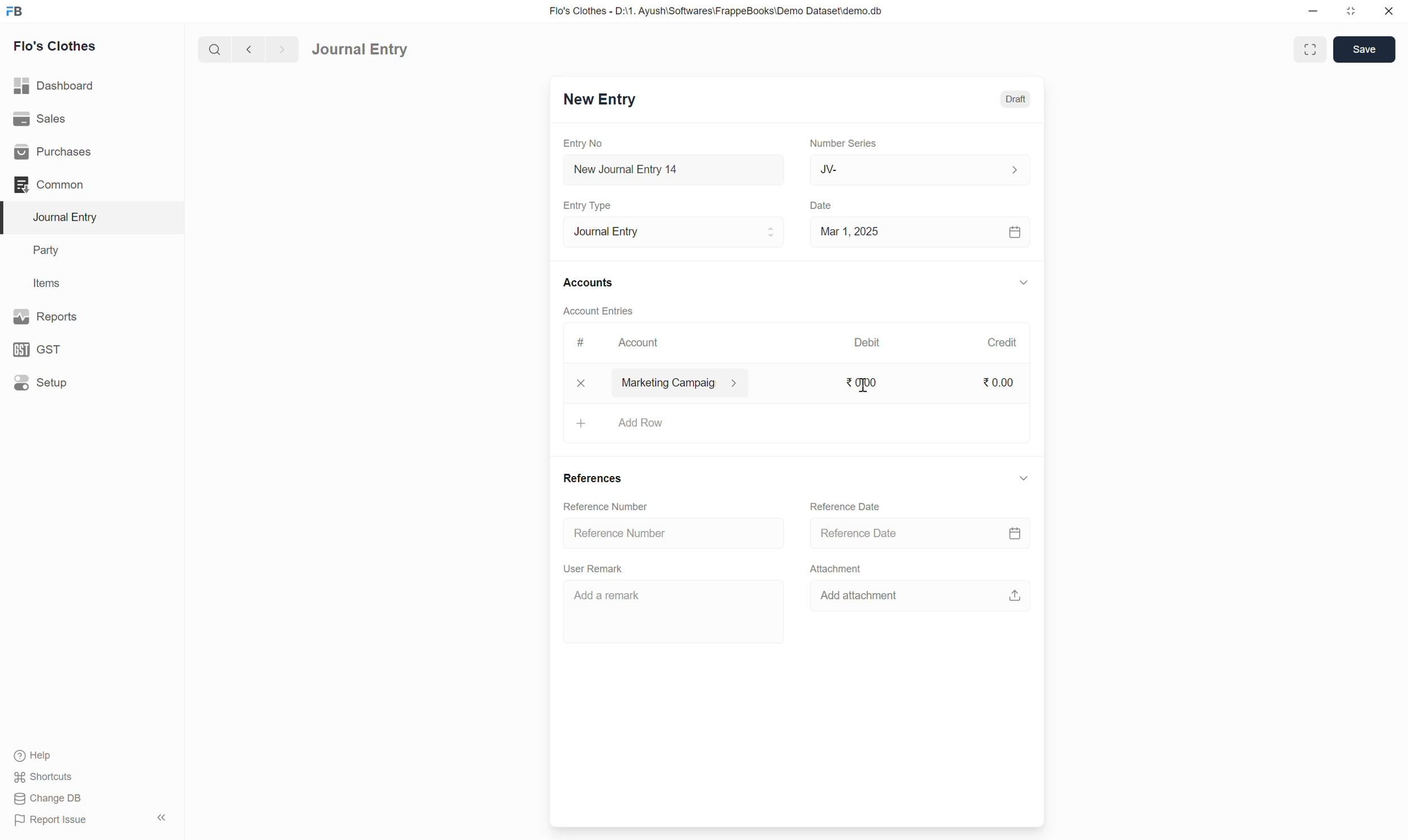  I want to click on Reference Date, so click(847, 507).